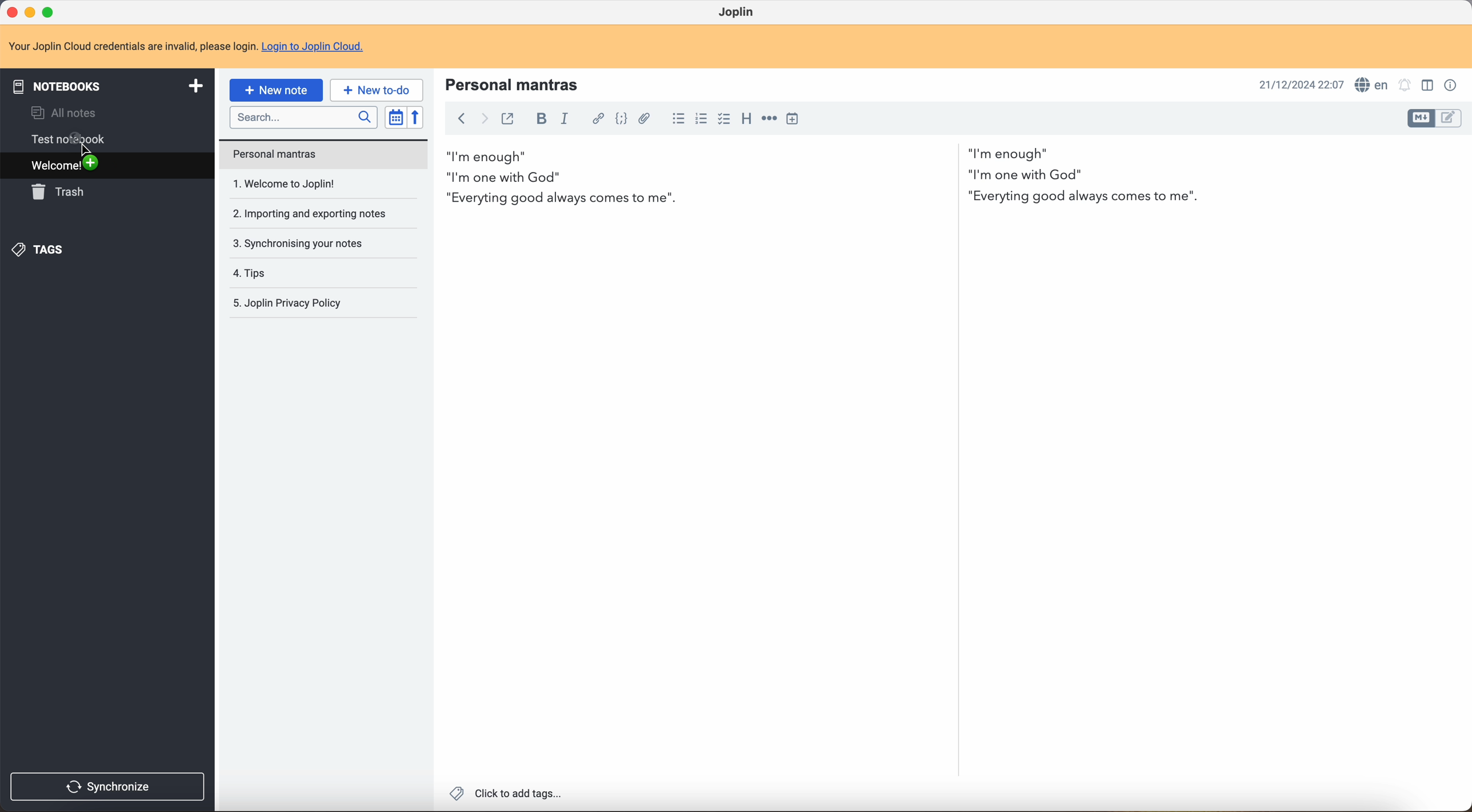 Image resolution: width=1472 pixels, height=812 pixels. I want to click on toggle editor layout, so click(1421, 119).